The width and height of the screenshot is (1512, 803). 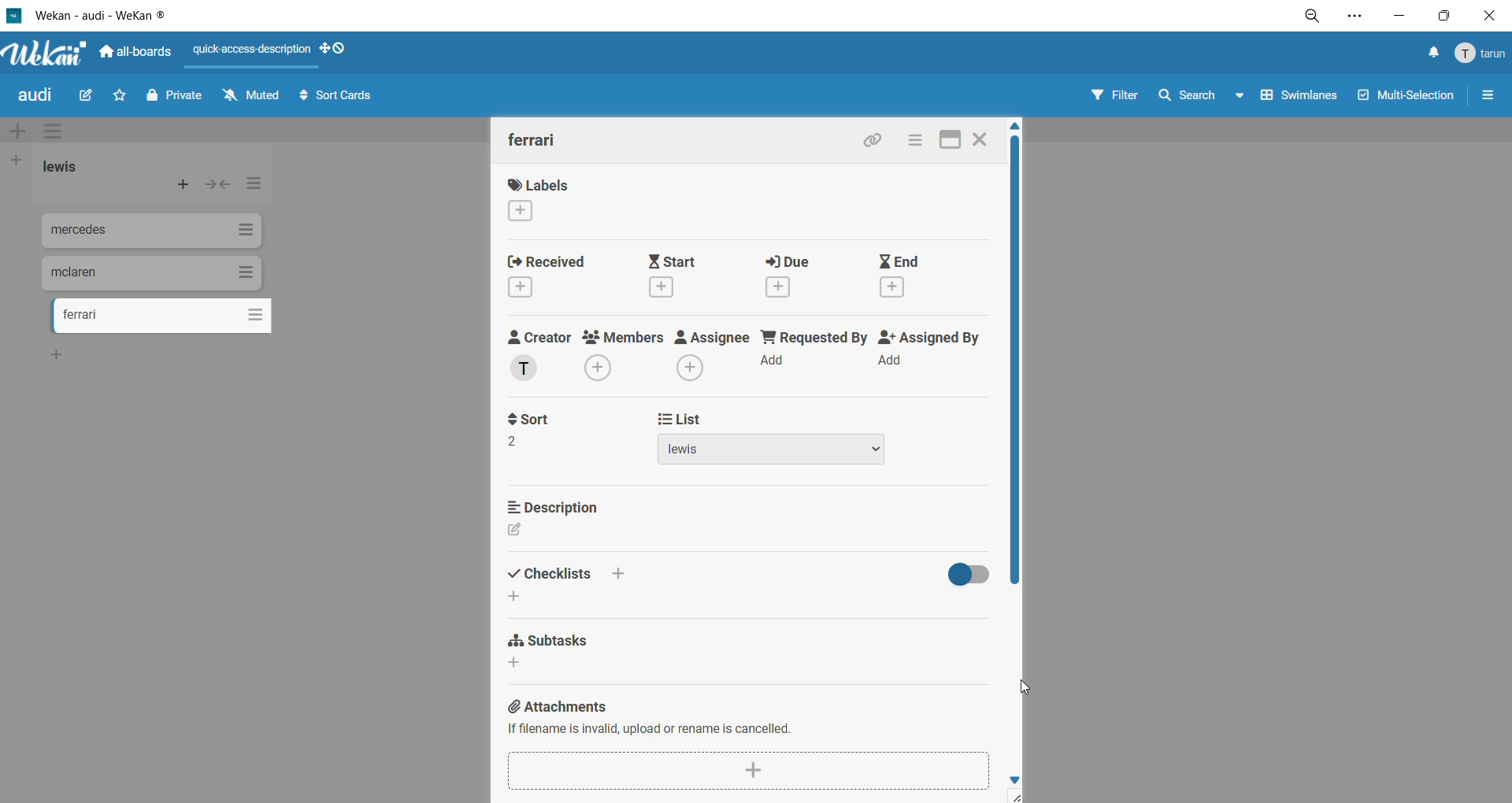 I want to click on cards, so click(x=163, y=318).